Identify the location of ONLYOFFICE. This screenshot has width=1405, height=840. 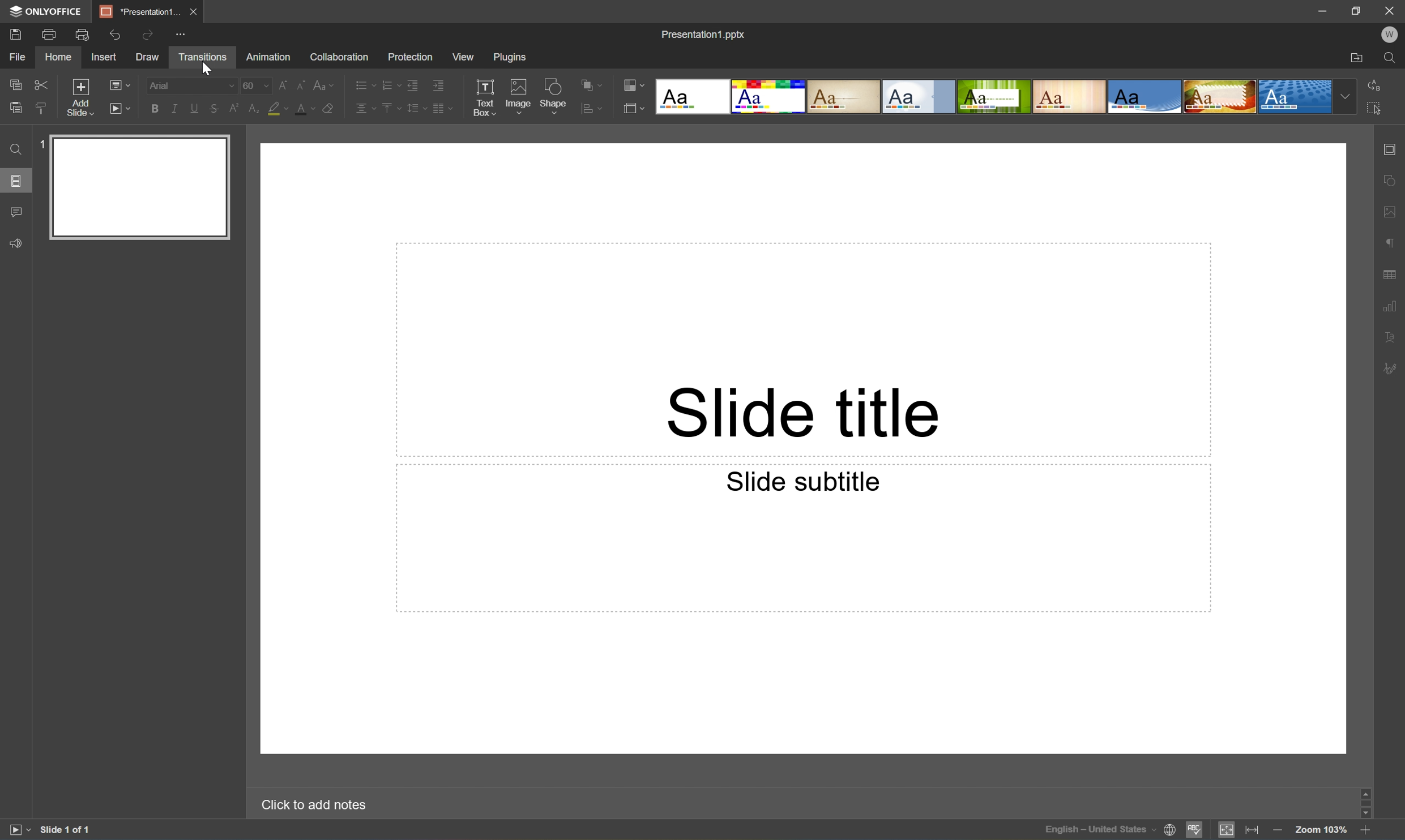
(50, 11).